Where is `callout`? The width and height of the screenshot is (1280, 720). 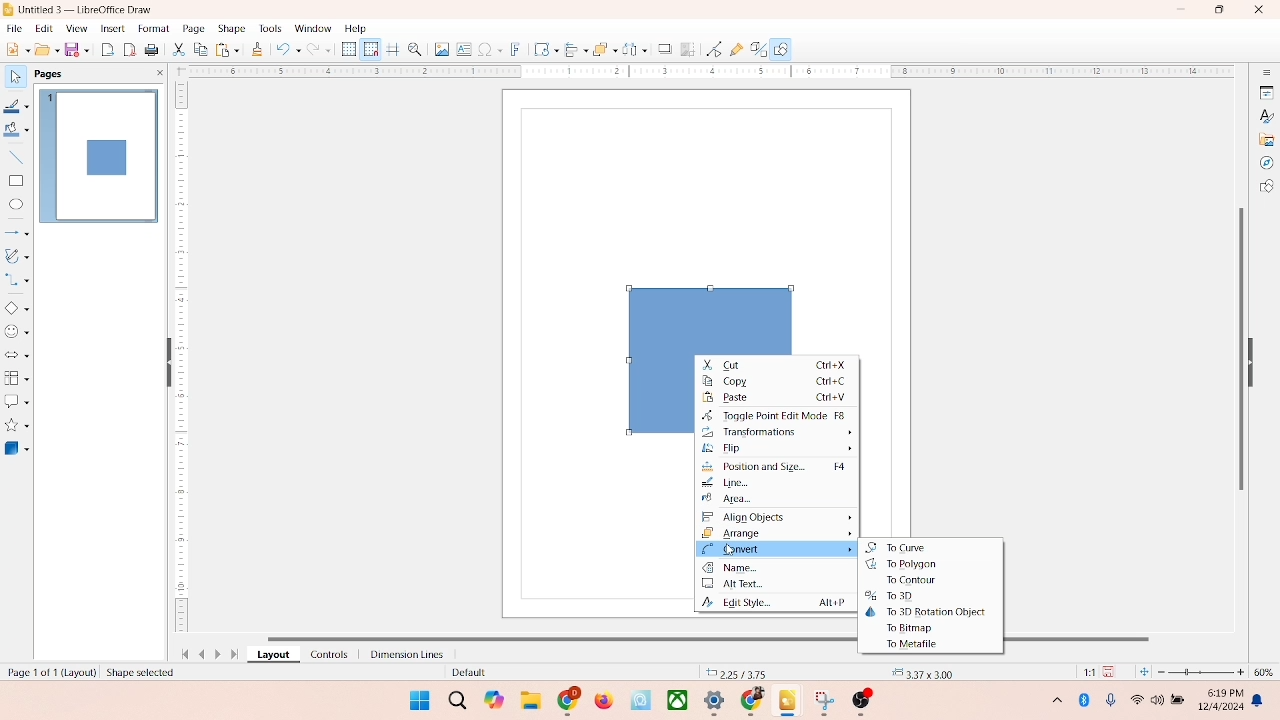
callout is located at coordinates (16, 401).